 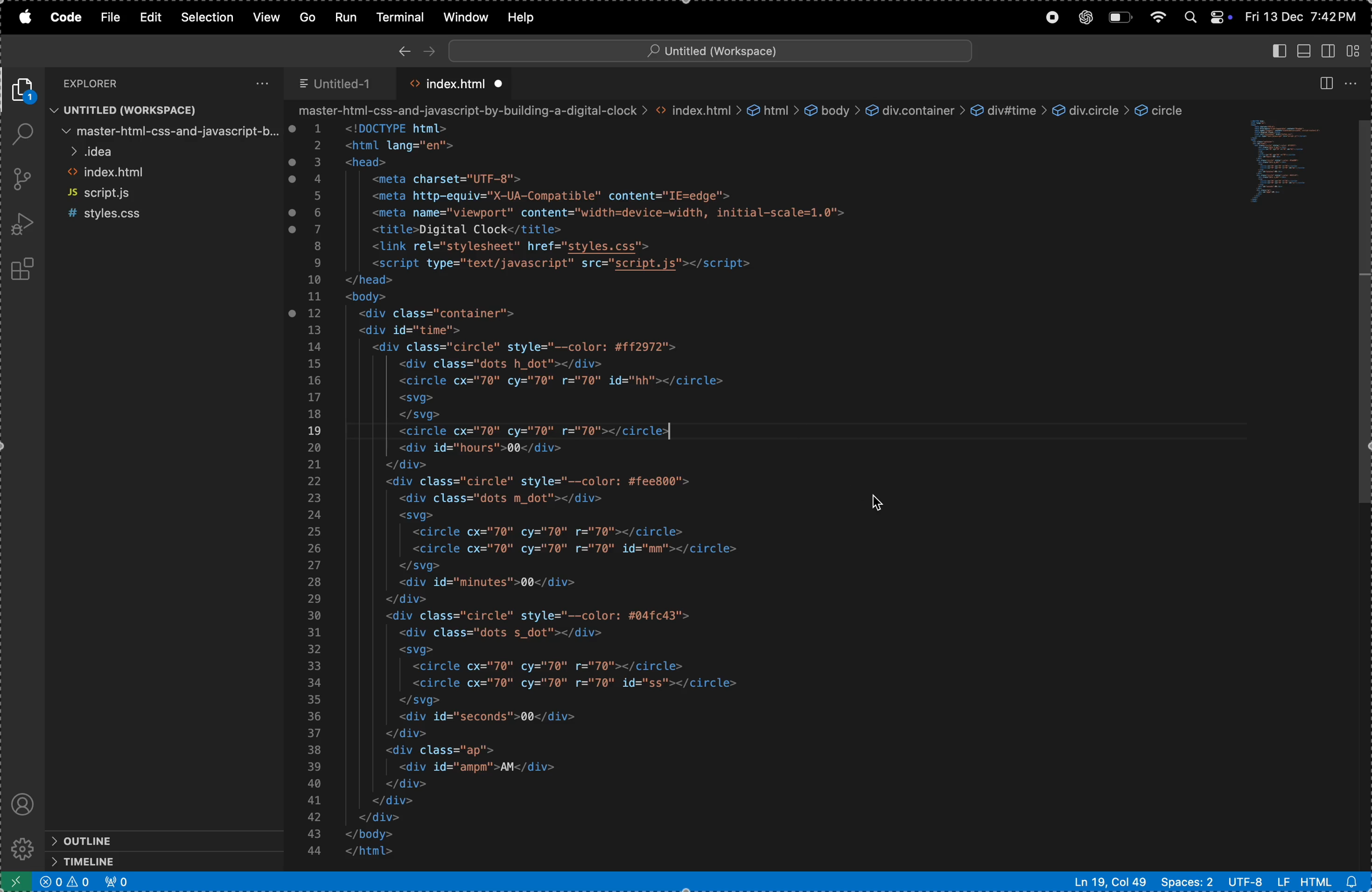 I want to click on timeline, so click(x=142, y=861).